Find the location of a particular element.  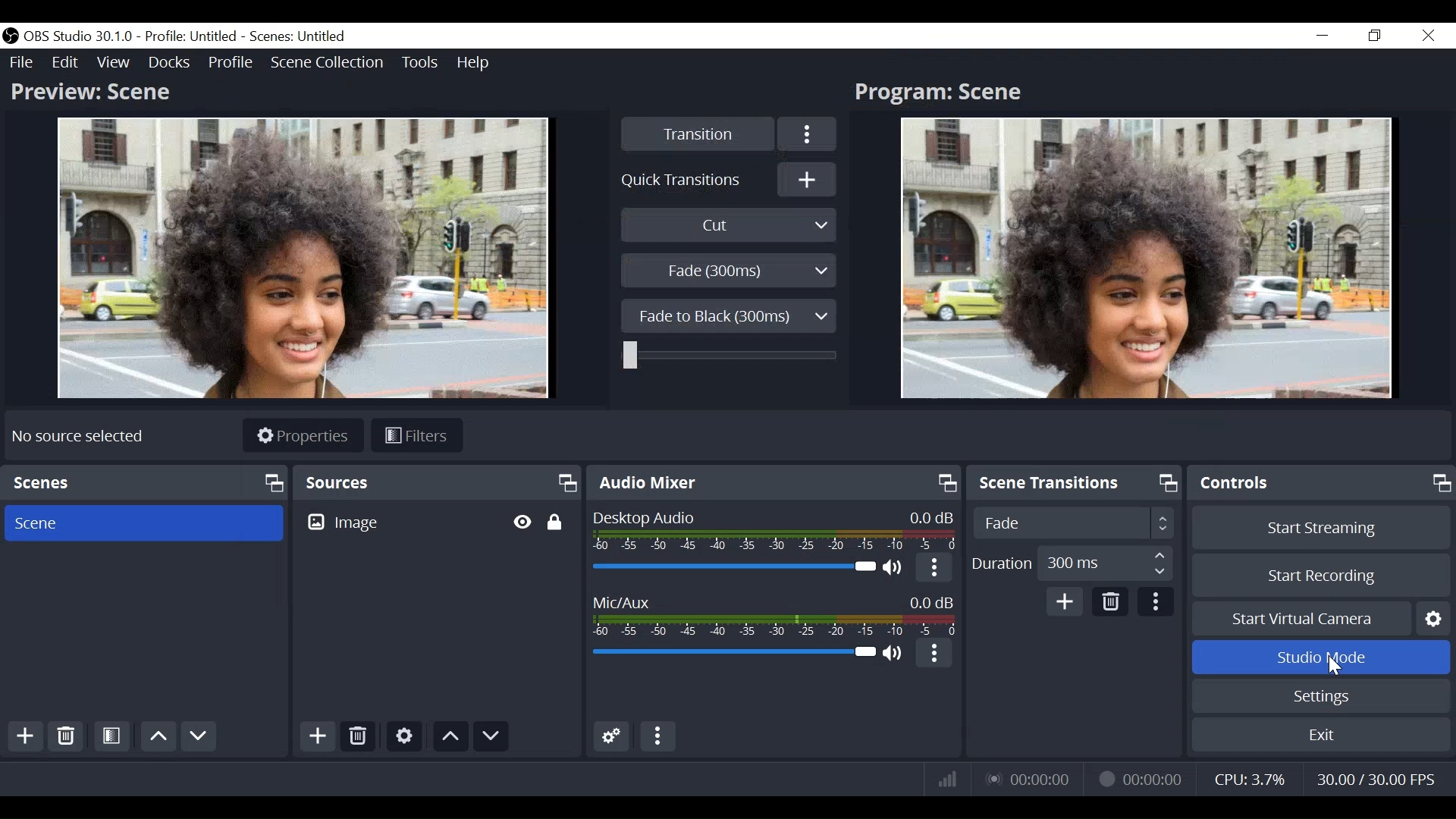

Audio Mixer is located at coordinates (773, 483).